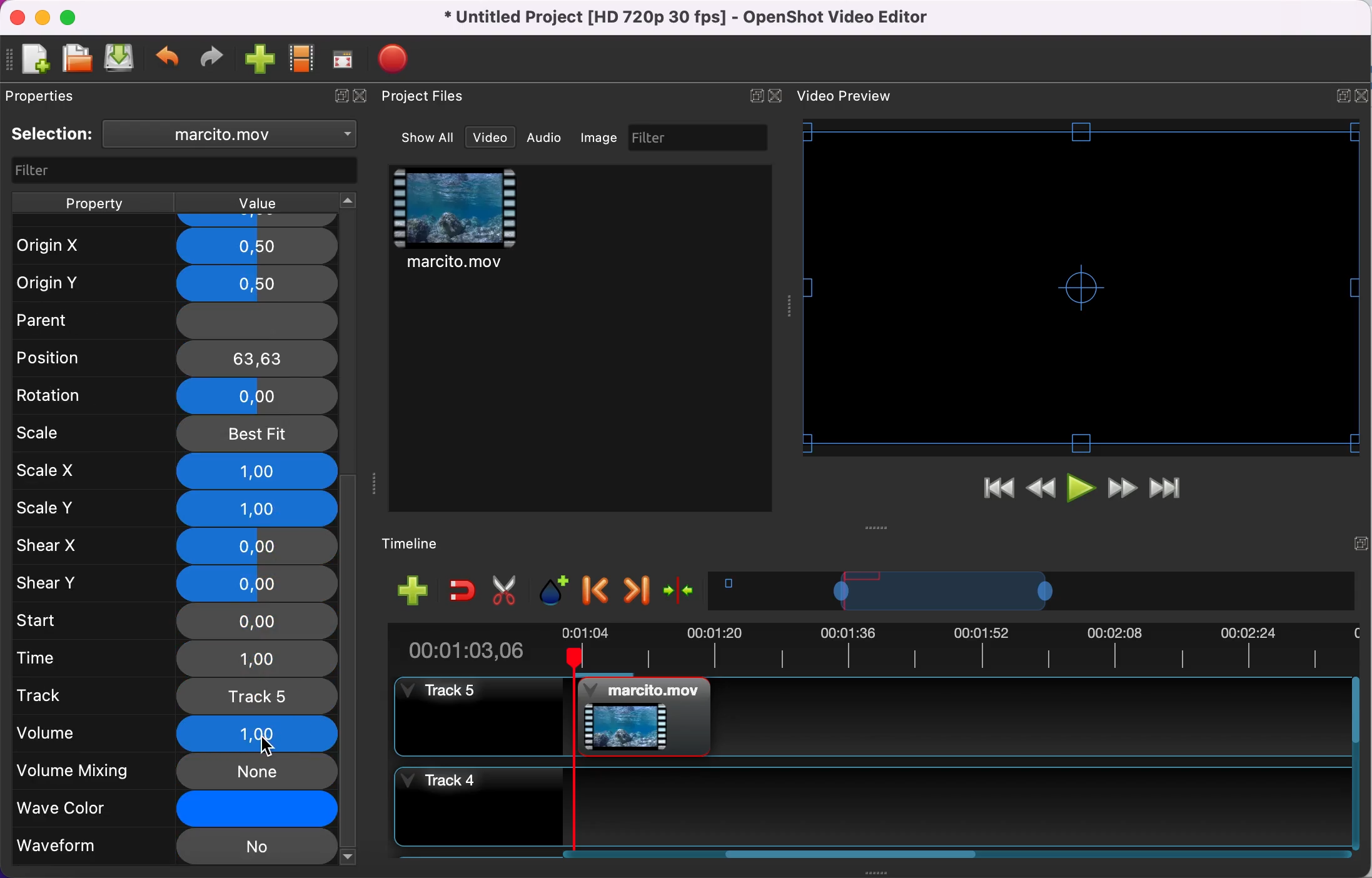  I want to click on selection, so click(53, 134).